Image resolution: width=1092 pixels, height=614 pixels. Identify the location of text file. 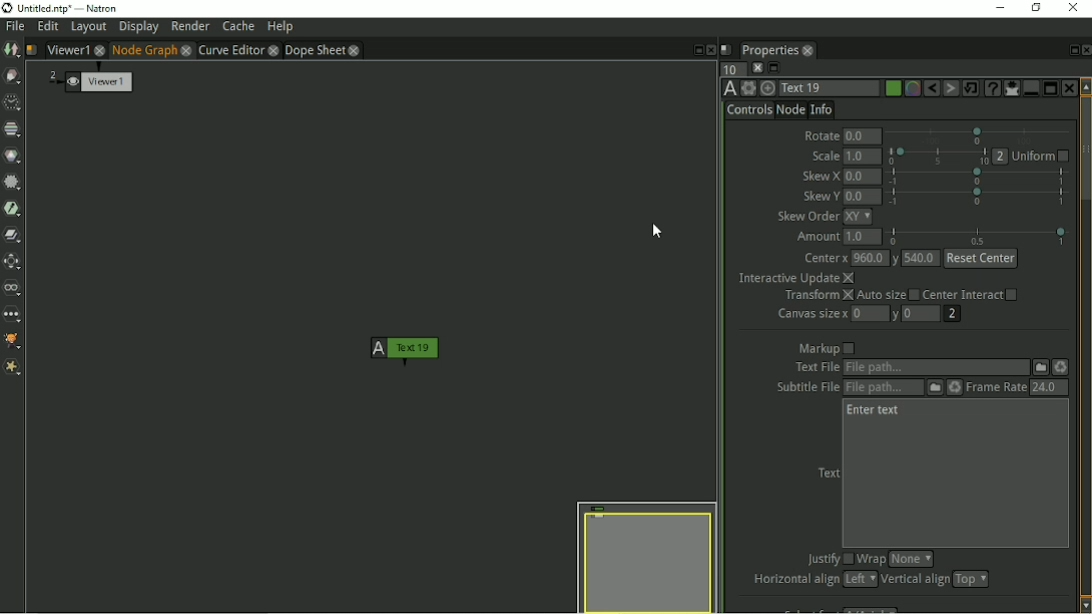
(816, 366).